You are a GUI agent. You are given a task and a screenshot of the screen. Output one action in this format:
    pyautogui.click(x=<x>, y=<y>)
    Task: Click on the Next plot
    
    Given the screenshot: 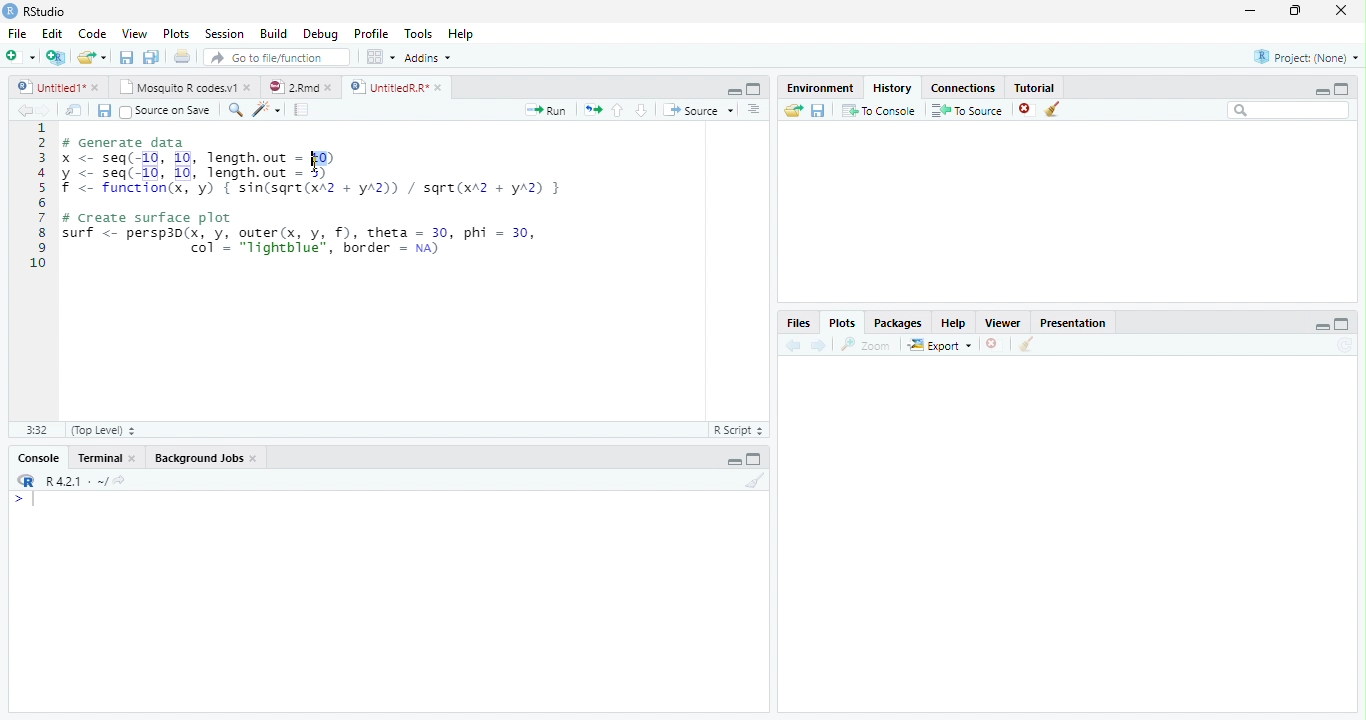 What is the action you would take?
    pyautogui.click(x=819, y=345)
    